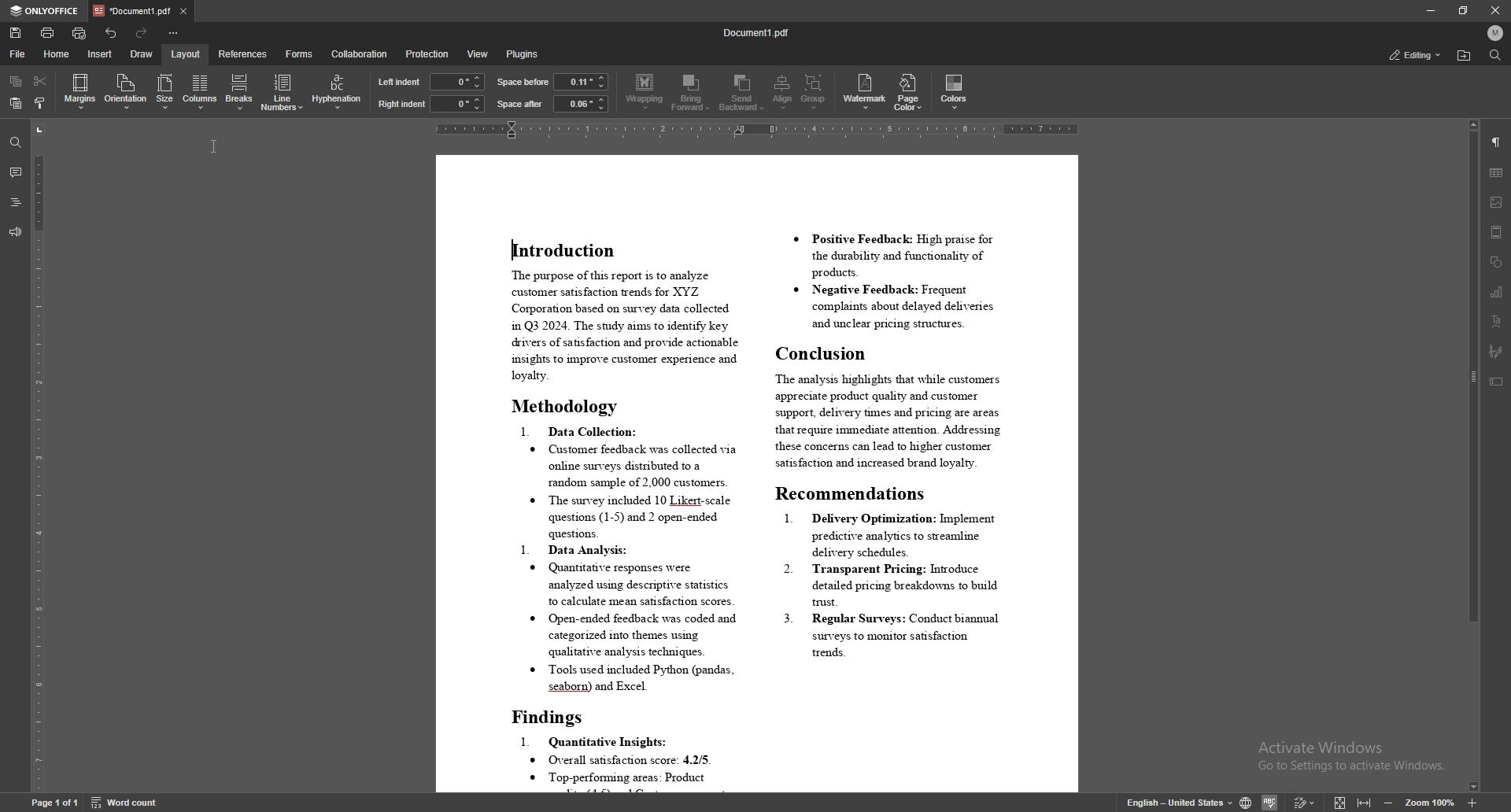 This screenshot has width=1511, height=812. I want to click on chart, so click(1497, 291).